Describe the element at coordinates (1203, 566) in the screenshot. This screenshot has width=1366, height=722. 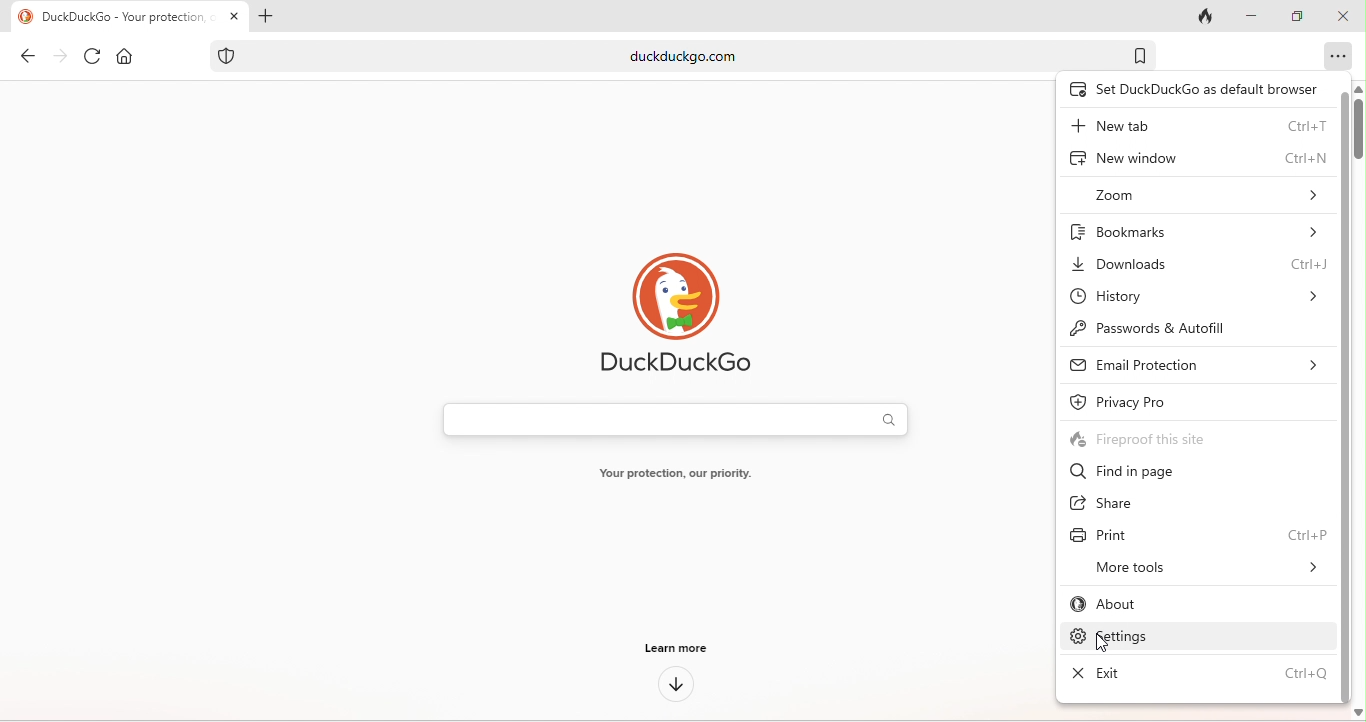
I see `more tools` at that location.